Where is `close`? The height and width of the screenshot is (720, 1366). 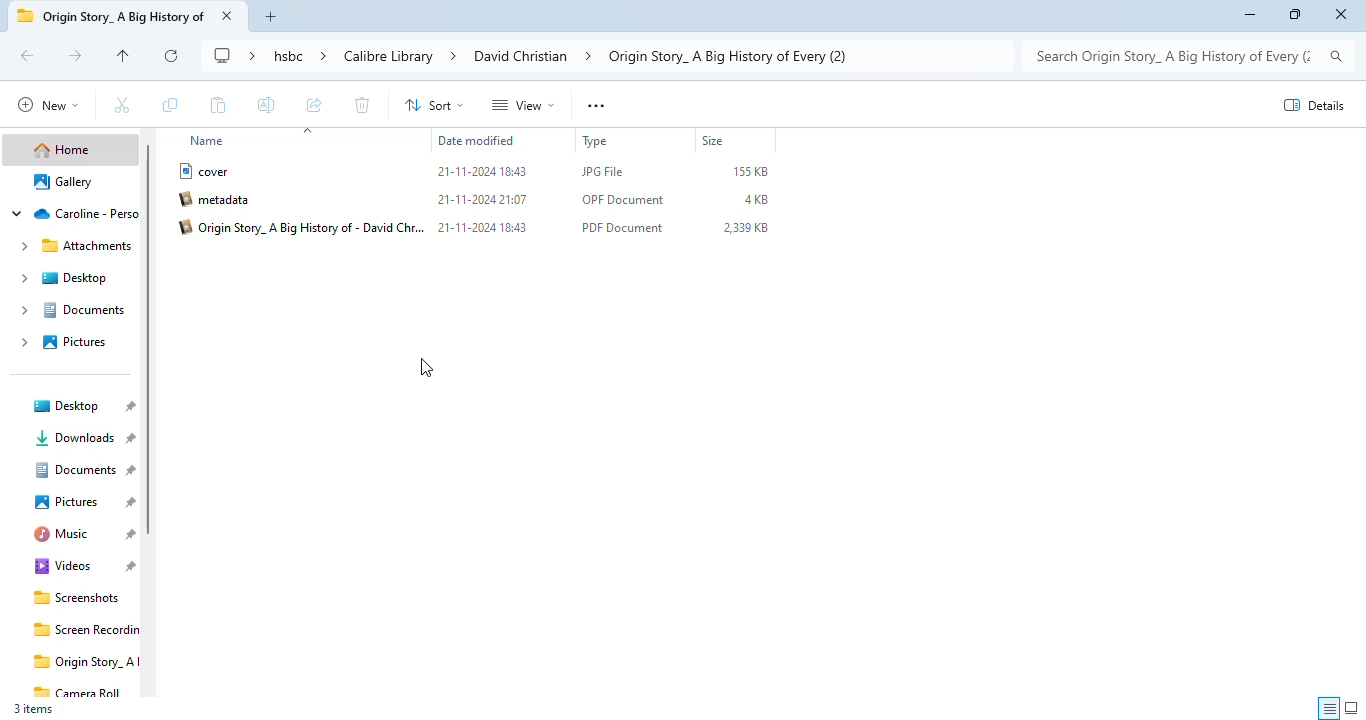 close is located at coordinates (1341, 15).